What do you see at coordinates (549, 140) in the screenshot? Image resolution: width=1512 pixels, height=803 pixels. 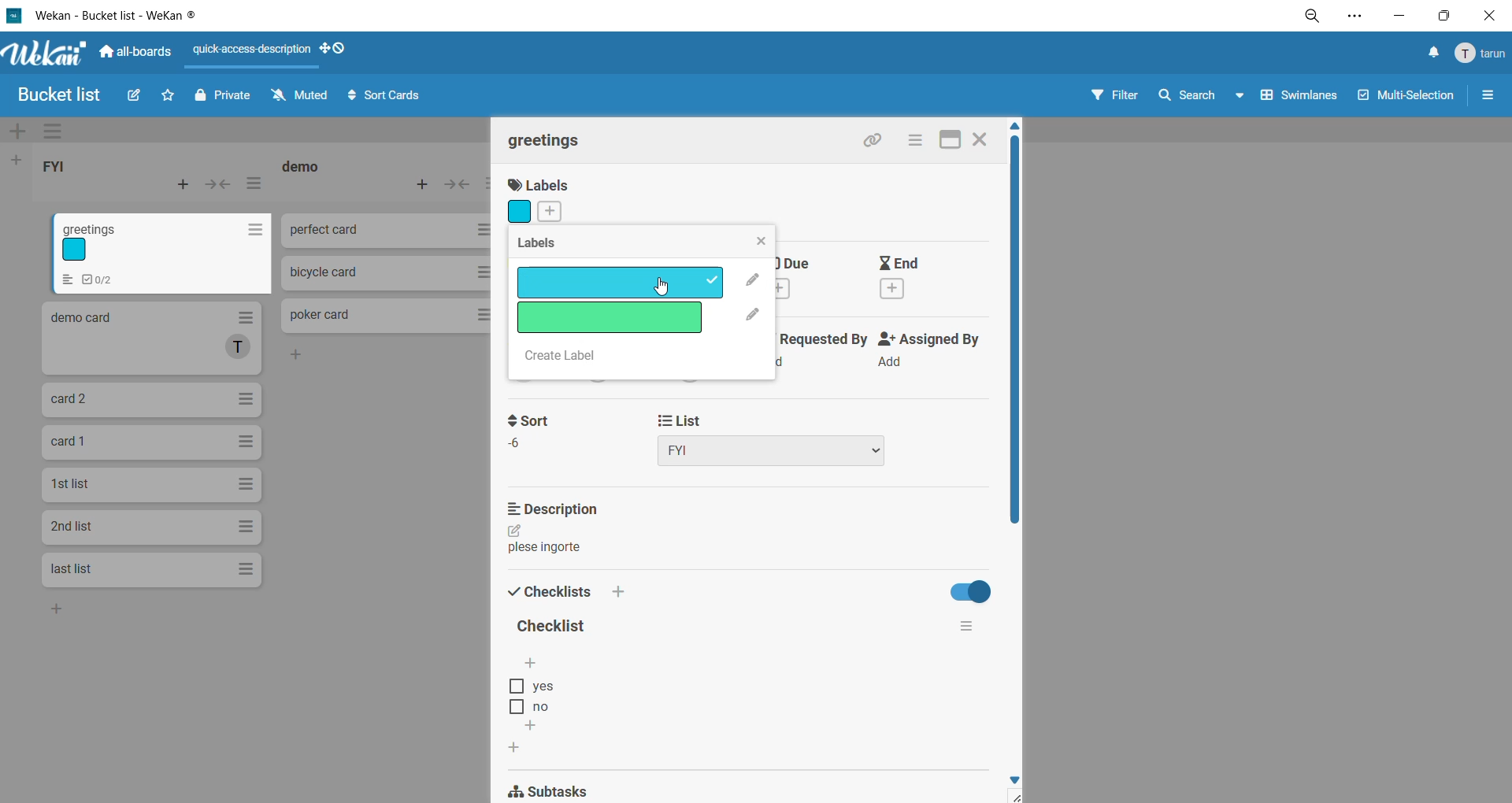 I see `Greetings` at bounding box center [549, 140].